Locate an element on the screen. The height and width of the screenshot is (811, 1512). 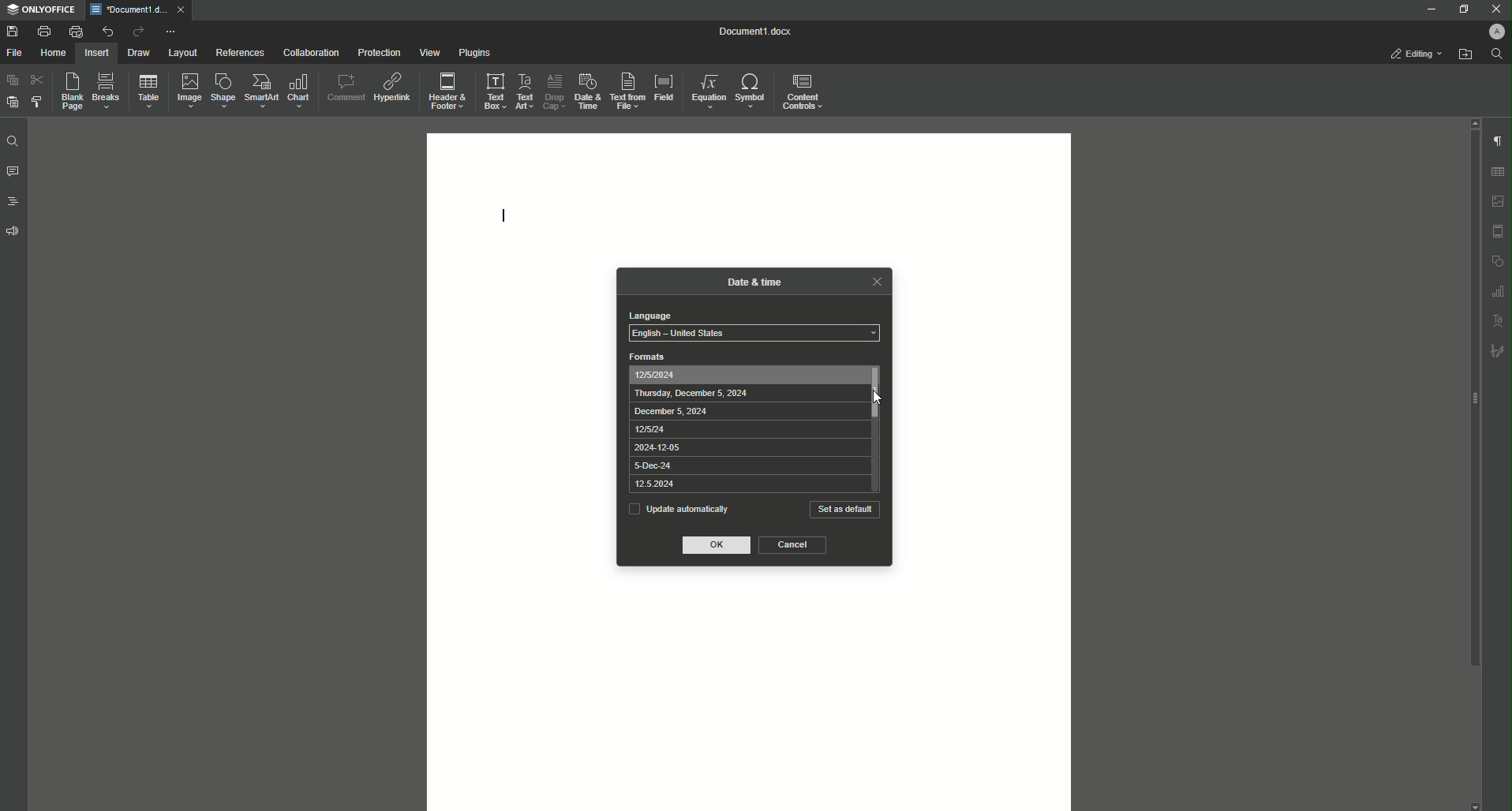
Collaboration is located at coordinates (308, 51).